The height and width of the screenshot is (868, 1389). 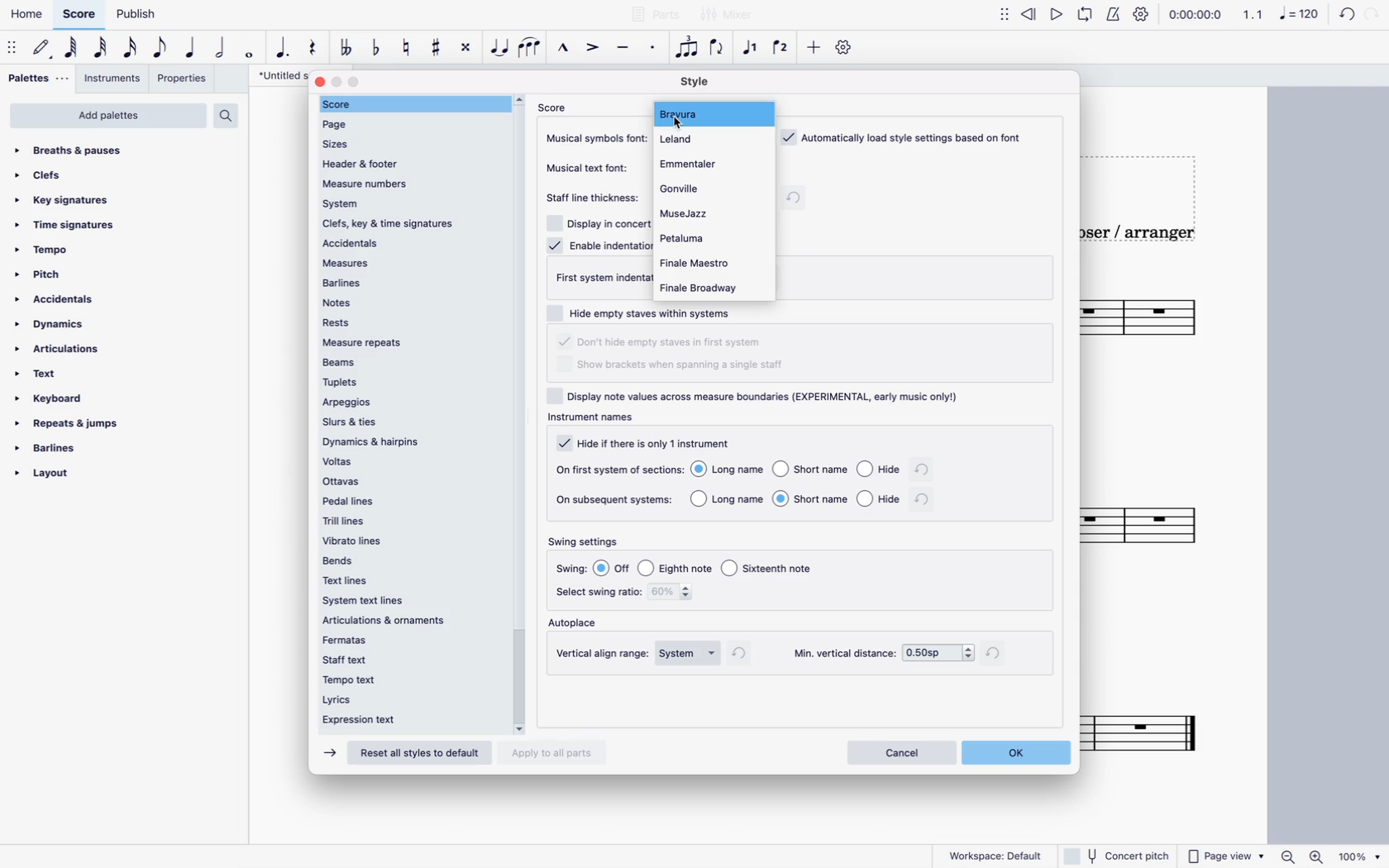 What do you see at coordinates (795, 498) in the screenshot?
I see `options` at bounding box center [795, 498].